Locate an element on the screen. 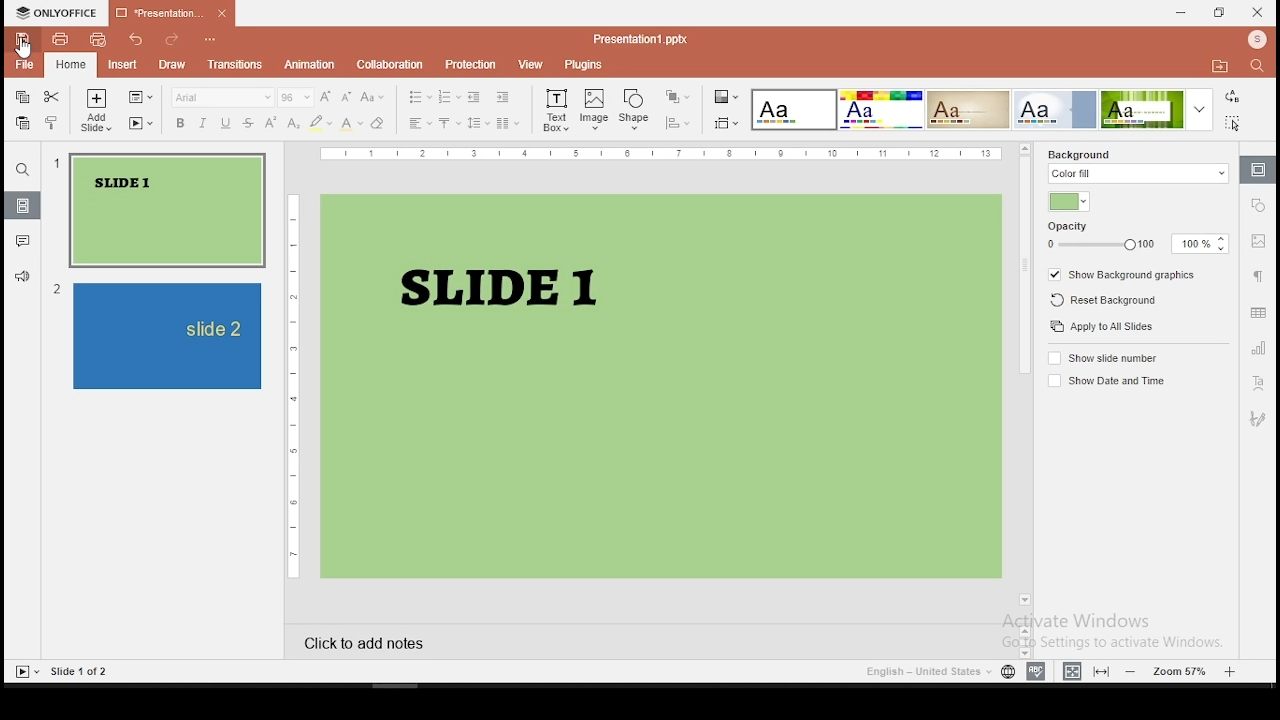 Image resolution: width=1280 pixels, height=720 pixels. language is located at coordinates (926, 672).